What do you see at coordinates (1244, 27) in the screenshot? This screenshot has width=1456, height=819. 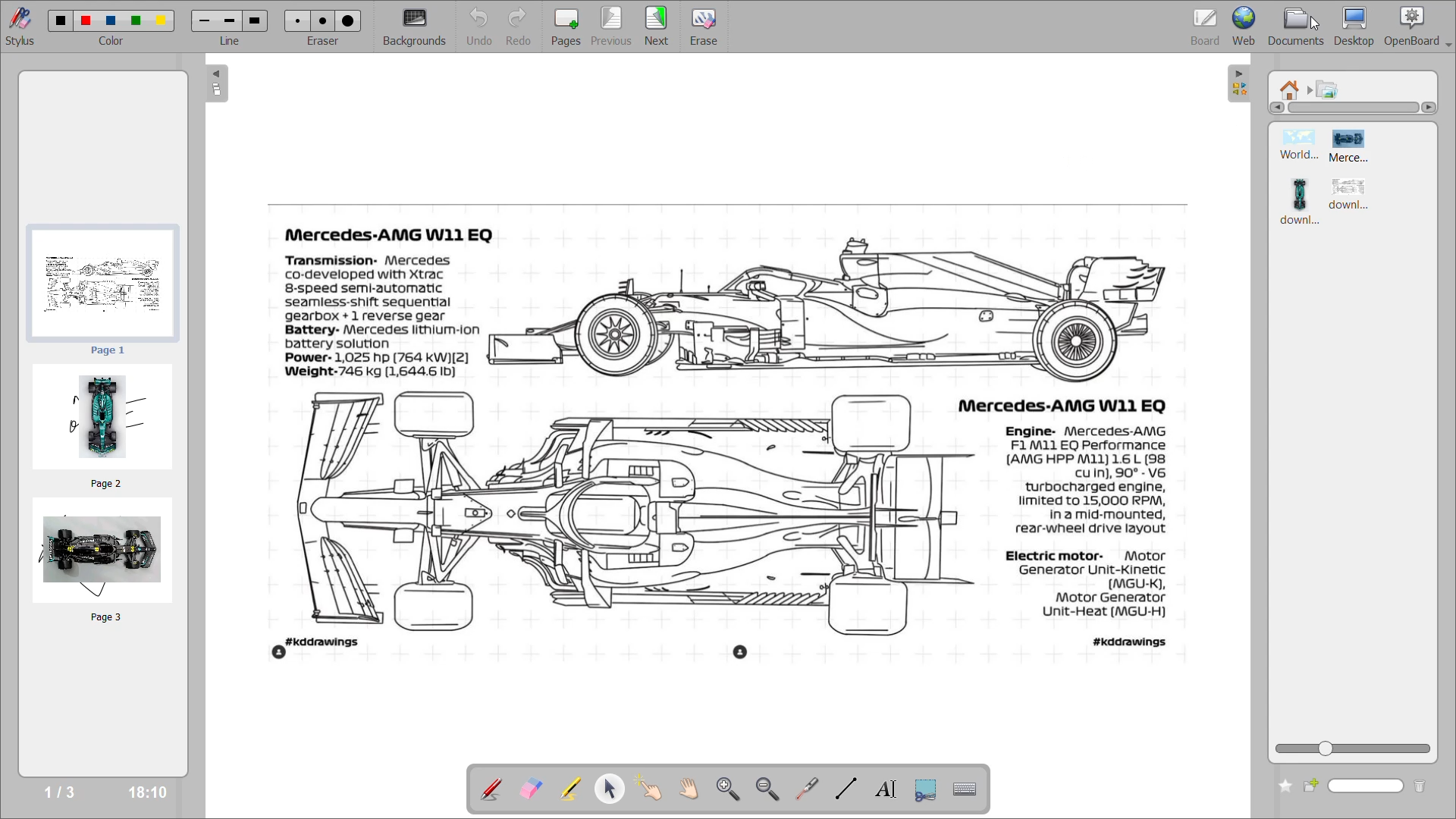 I see `web` at bounding box center [1244, 27].